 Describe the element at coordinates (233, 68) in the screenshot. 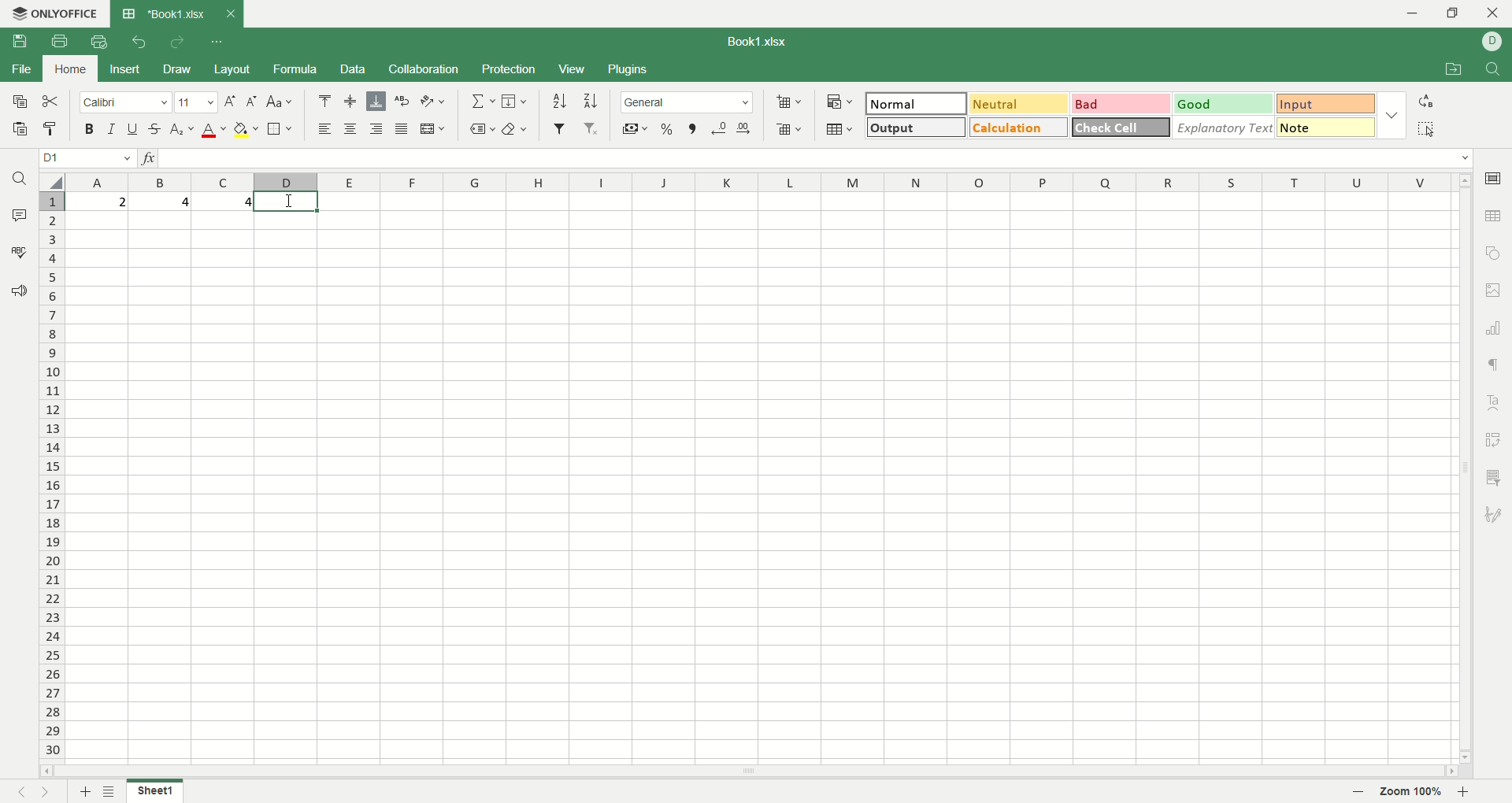

I see `layout` at that location.